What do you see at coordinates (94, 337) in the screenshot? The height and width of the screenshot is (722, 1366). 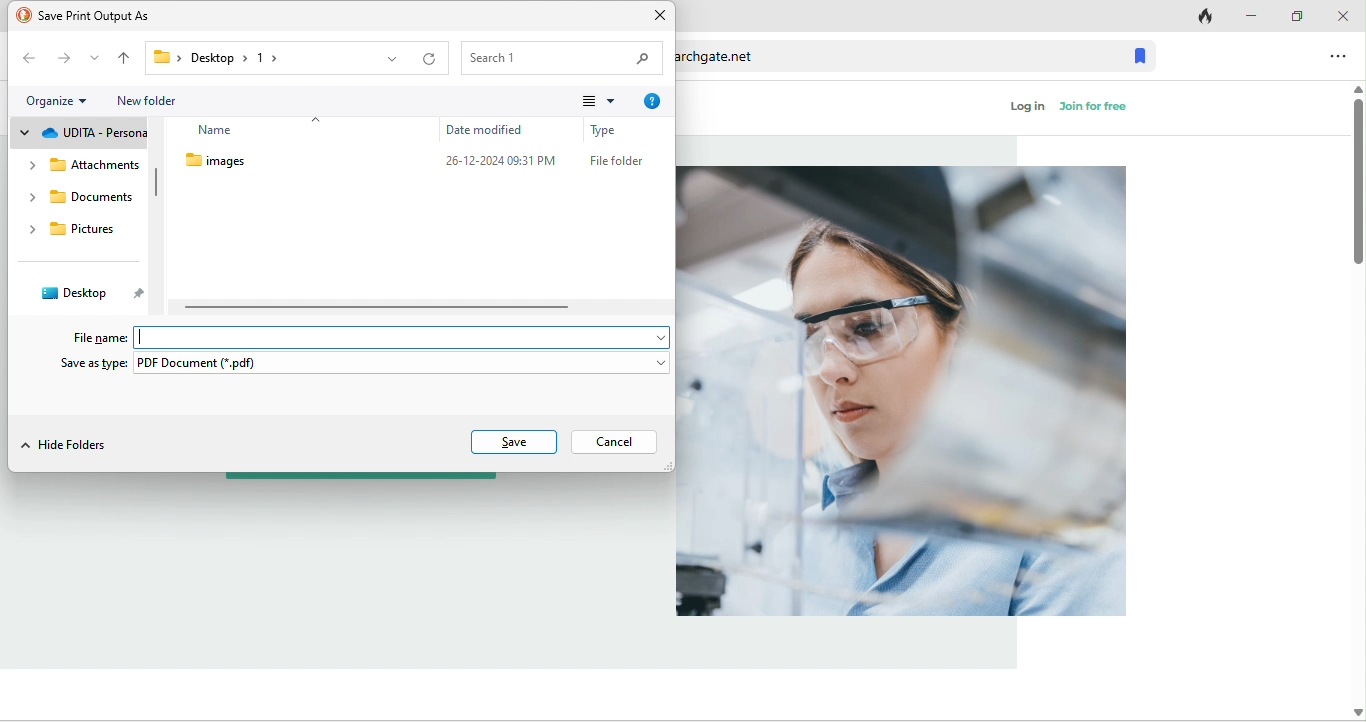 I see `file name` at bounding box center [94, 337].